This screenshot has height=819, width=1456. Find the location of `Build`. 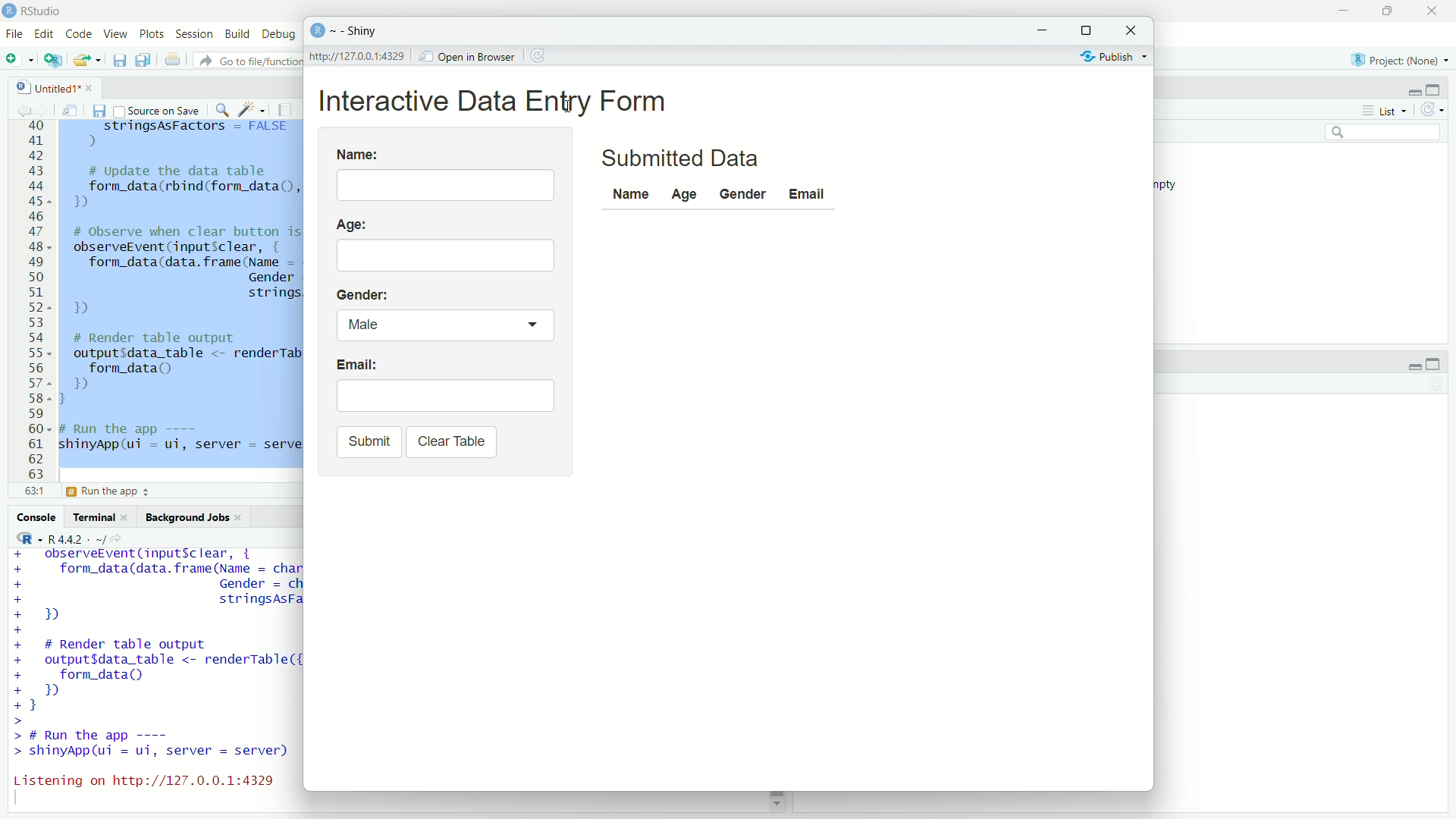

Build is located at coordinates (238, 34).